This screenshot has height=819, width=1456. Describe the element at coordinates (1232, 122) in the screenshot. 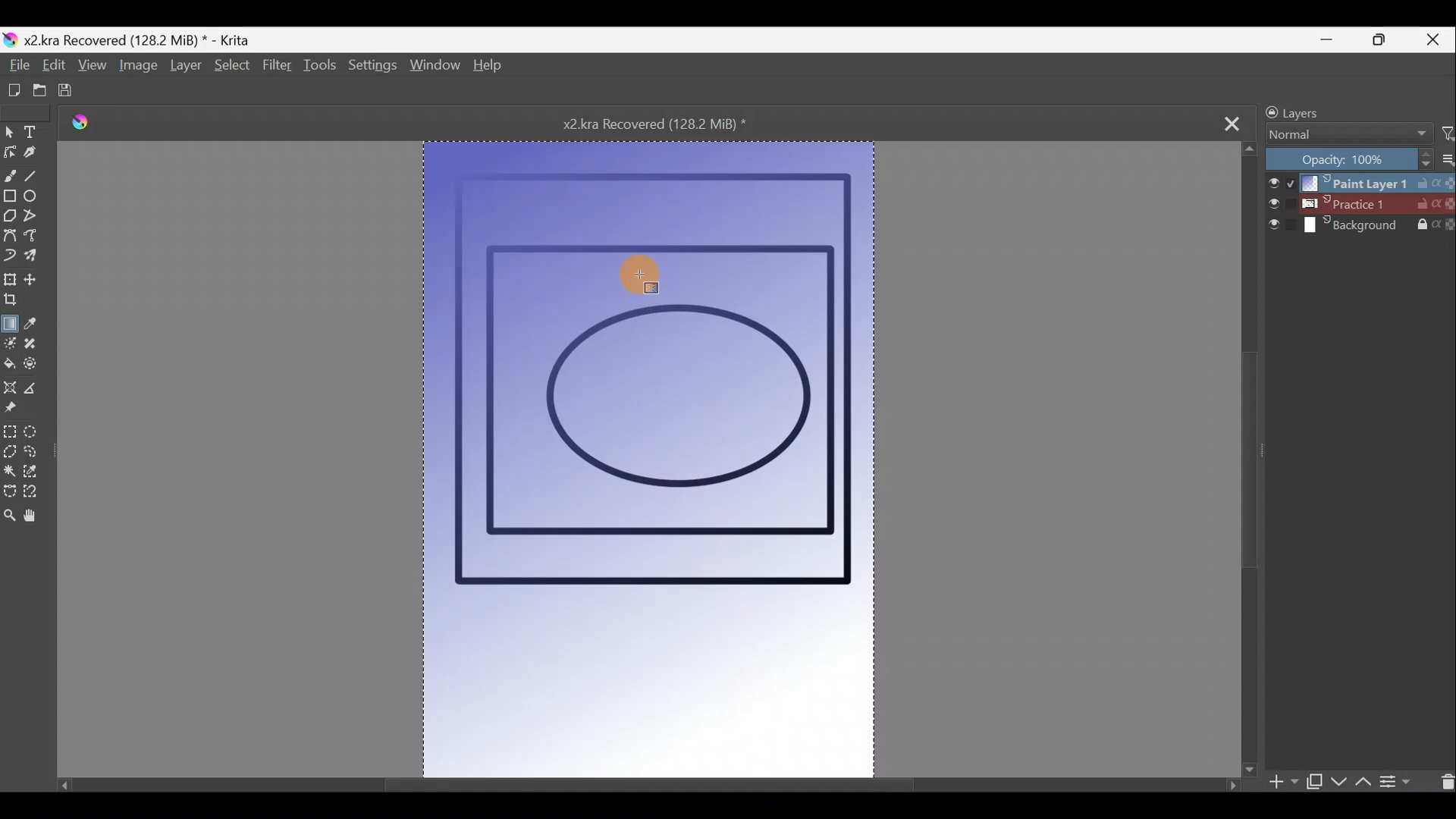

I see `Close tab` at that location.